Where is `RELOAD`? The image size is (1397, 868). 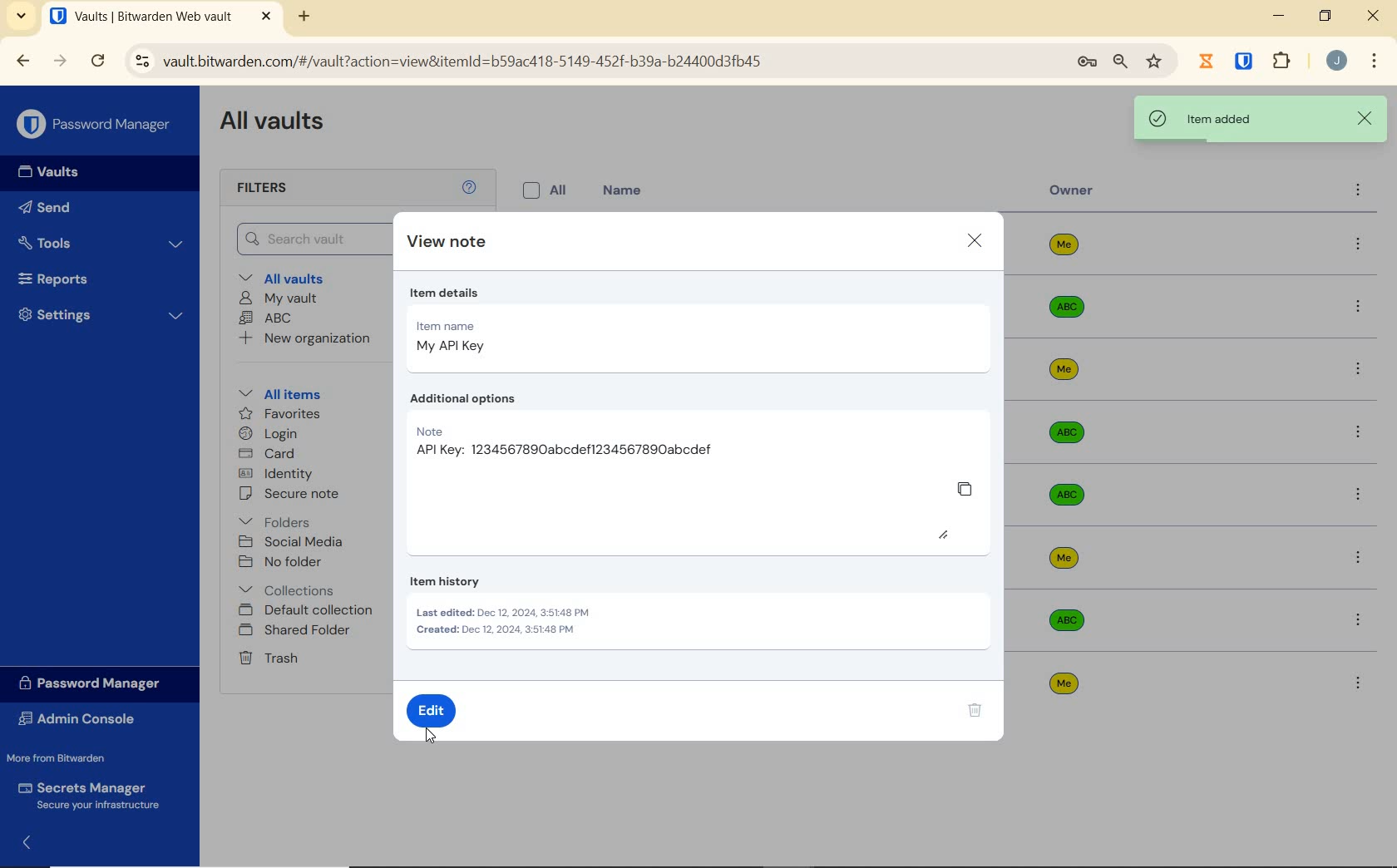
RELOAD is located at coordinates (99, 62).